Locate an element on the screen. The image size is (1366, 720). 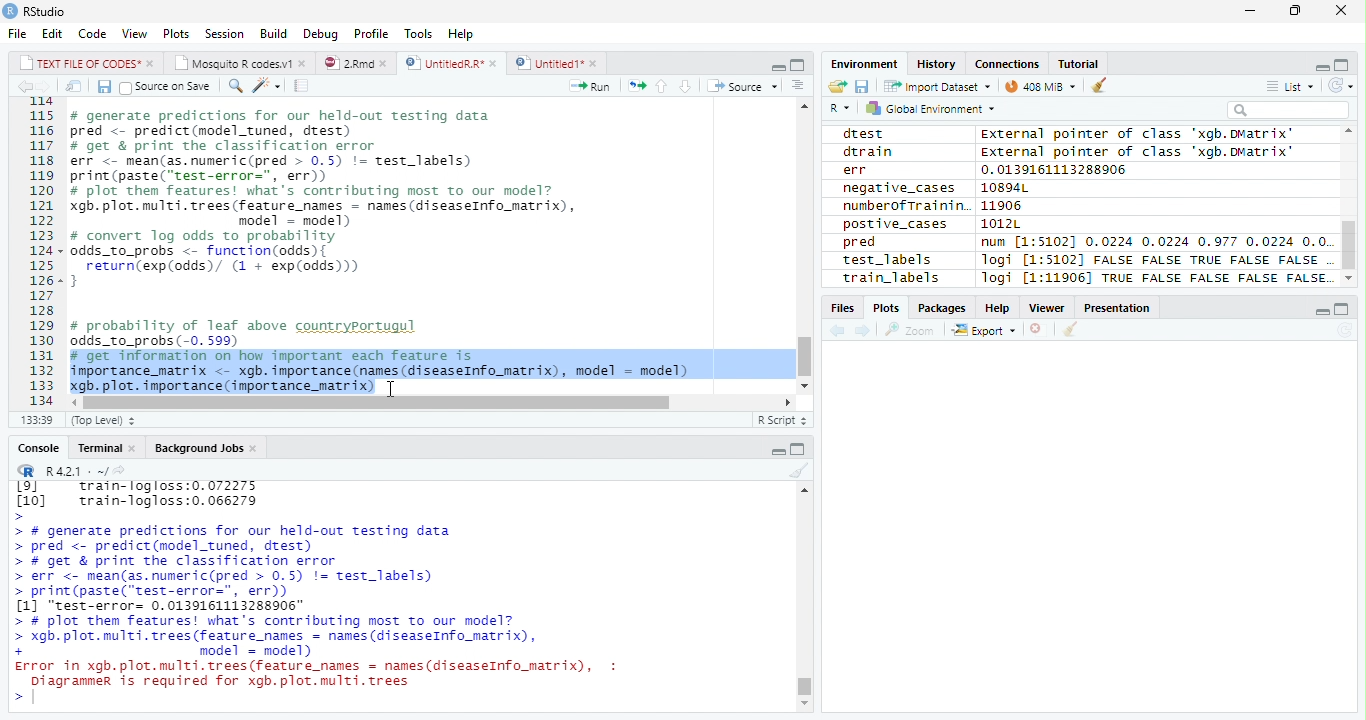
Source on Save is located at coordinates (164, 87).